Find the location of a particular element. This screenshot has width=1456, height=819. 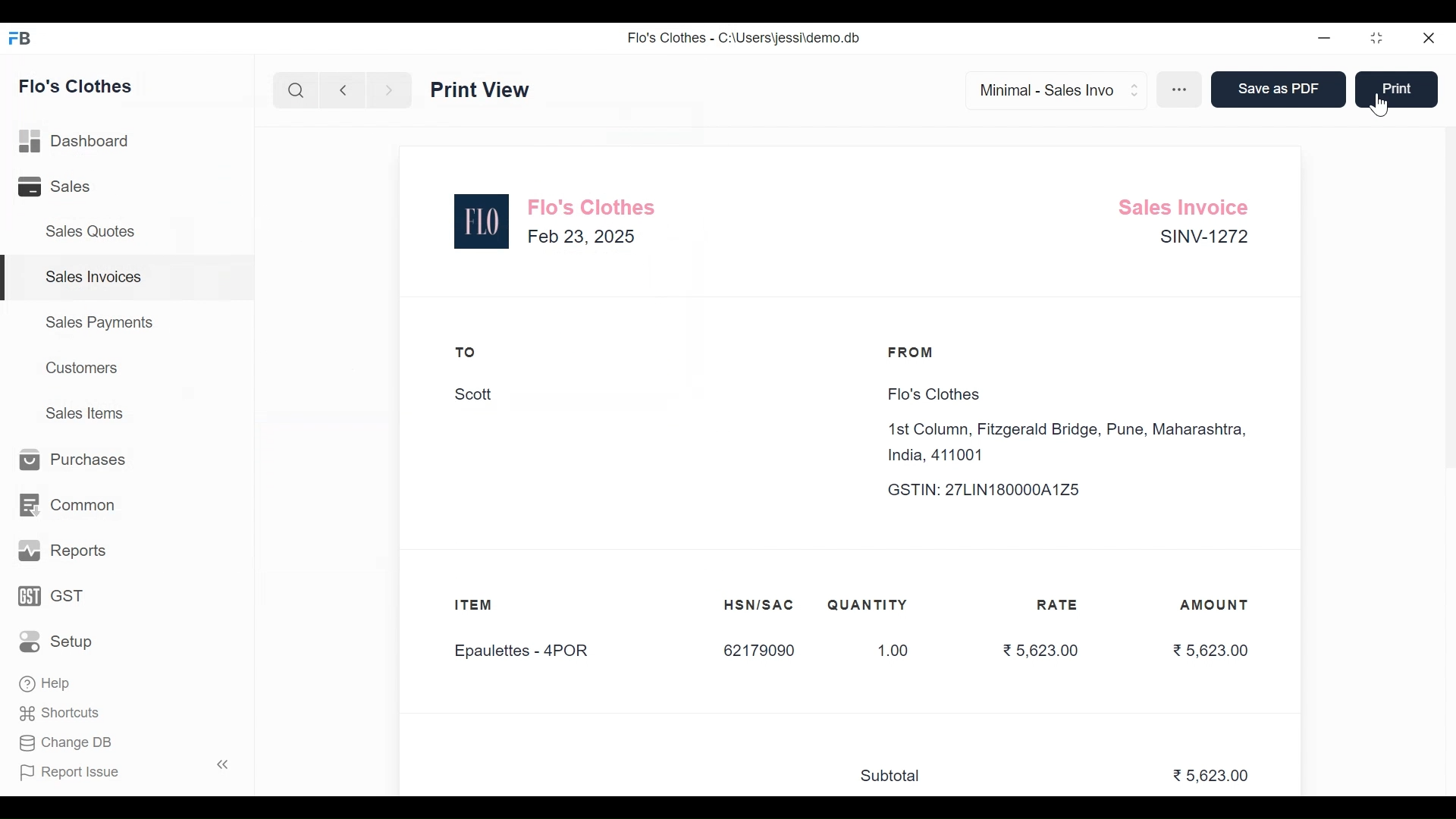

FROM is located at coordinates (915, 353).